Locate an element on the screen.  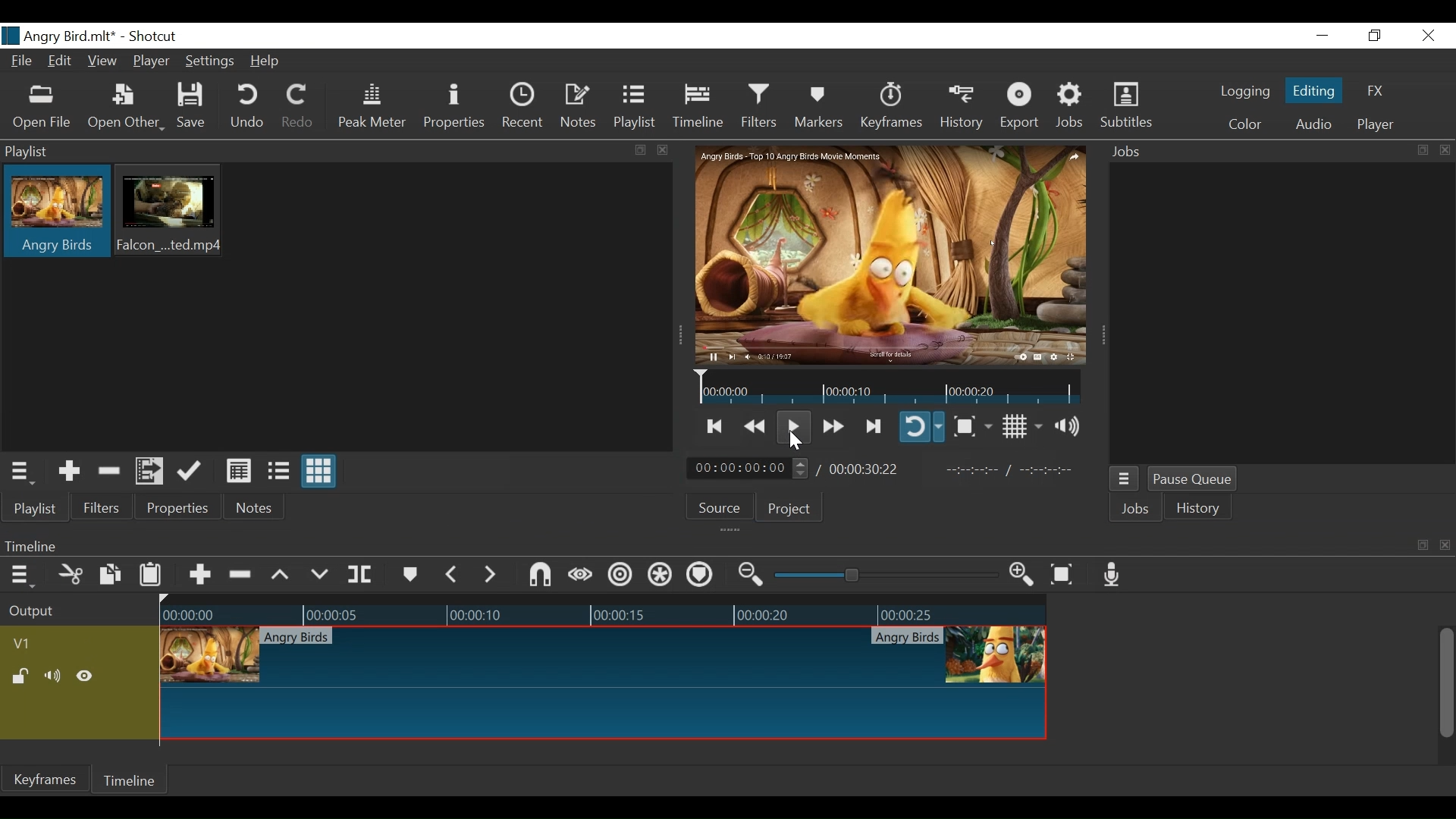
In point is located at coordinates (1017, 469).